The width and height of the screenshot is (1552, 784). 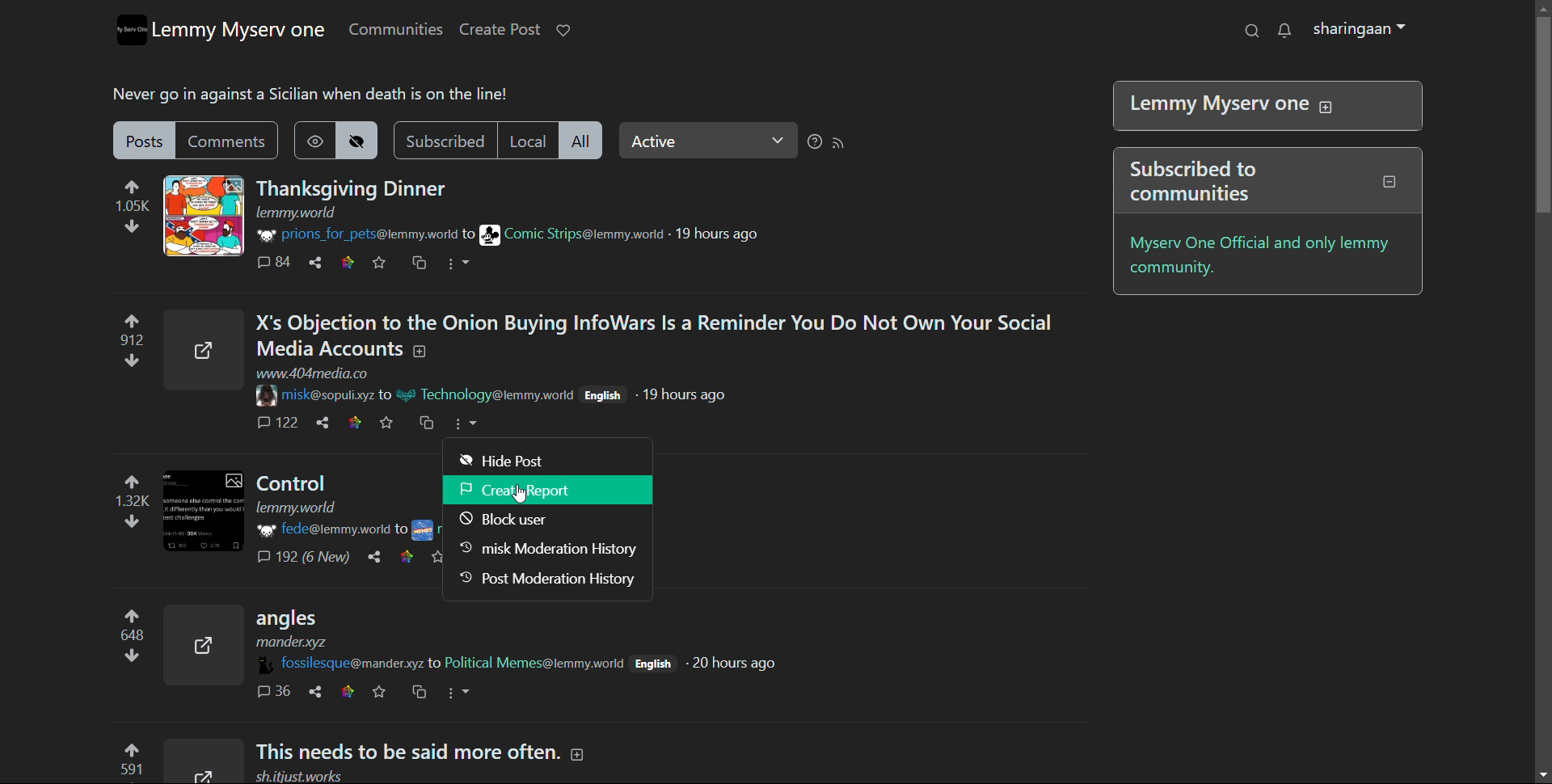 What do you see at coordinates (652, 660) in the screenshot?
I see `English` at bounding box center [652, 660].